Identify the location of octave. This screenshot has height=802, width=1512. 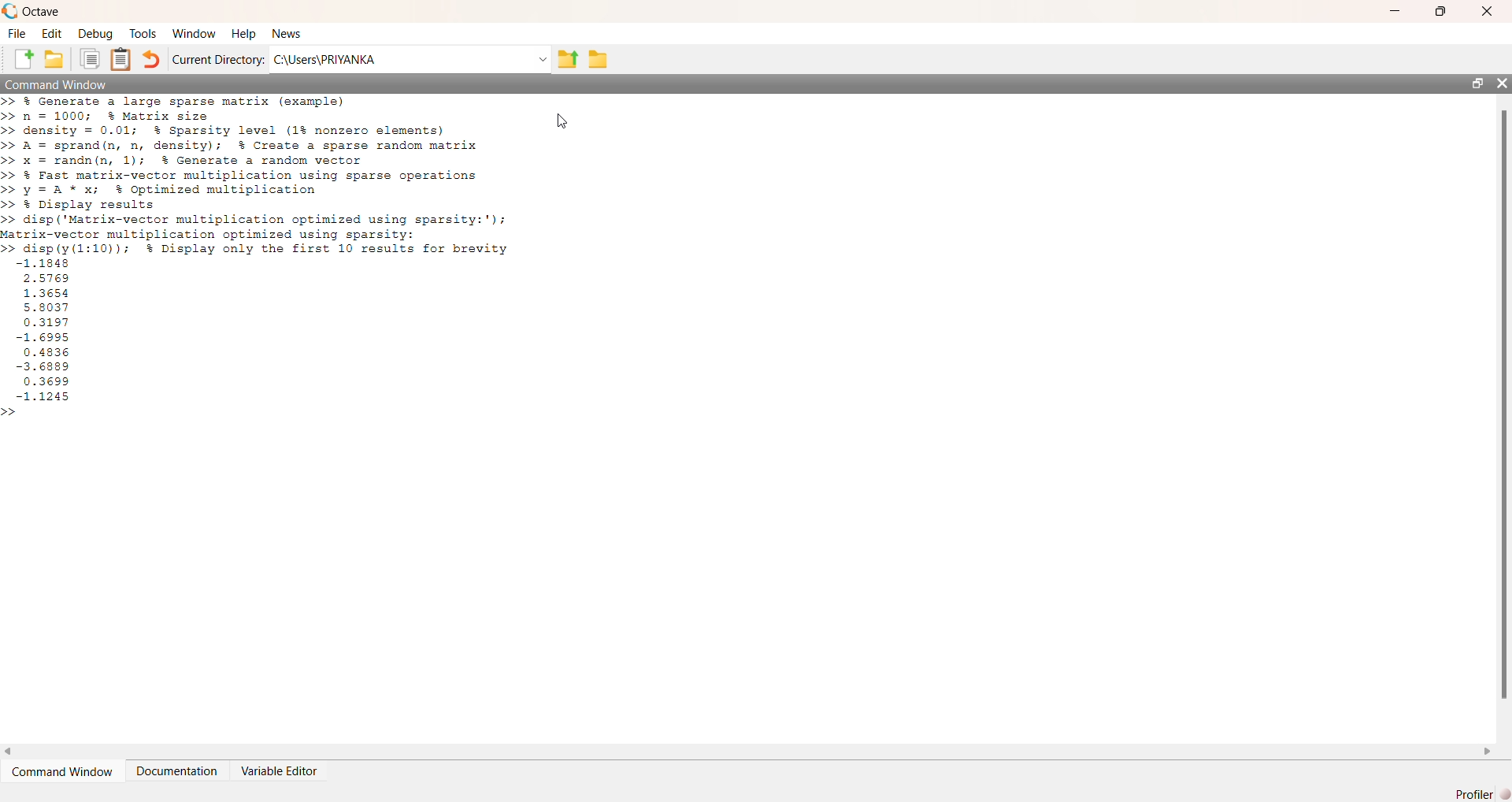
(50, 10).